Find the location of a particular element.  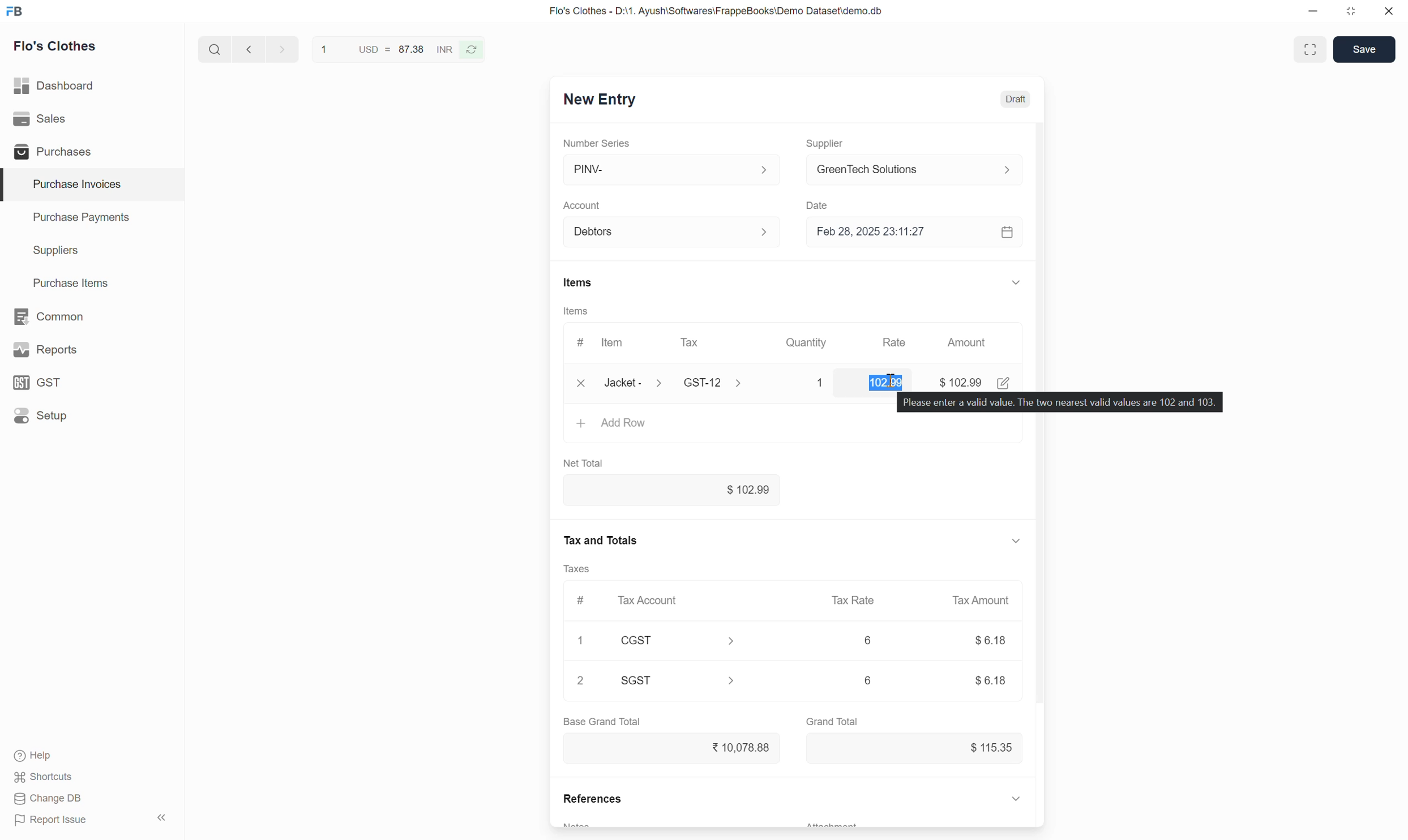

Net Total is located at coordinates (584, 464).